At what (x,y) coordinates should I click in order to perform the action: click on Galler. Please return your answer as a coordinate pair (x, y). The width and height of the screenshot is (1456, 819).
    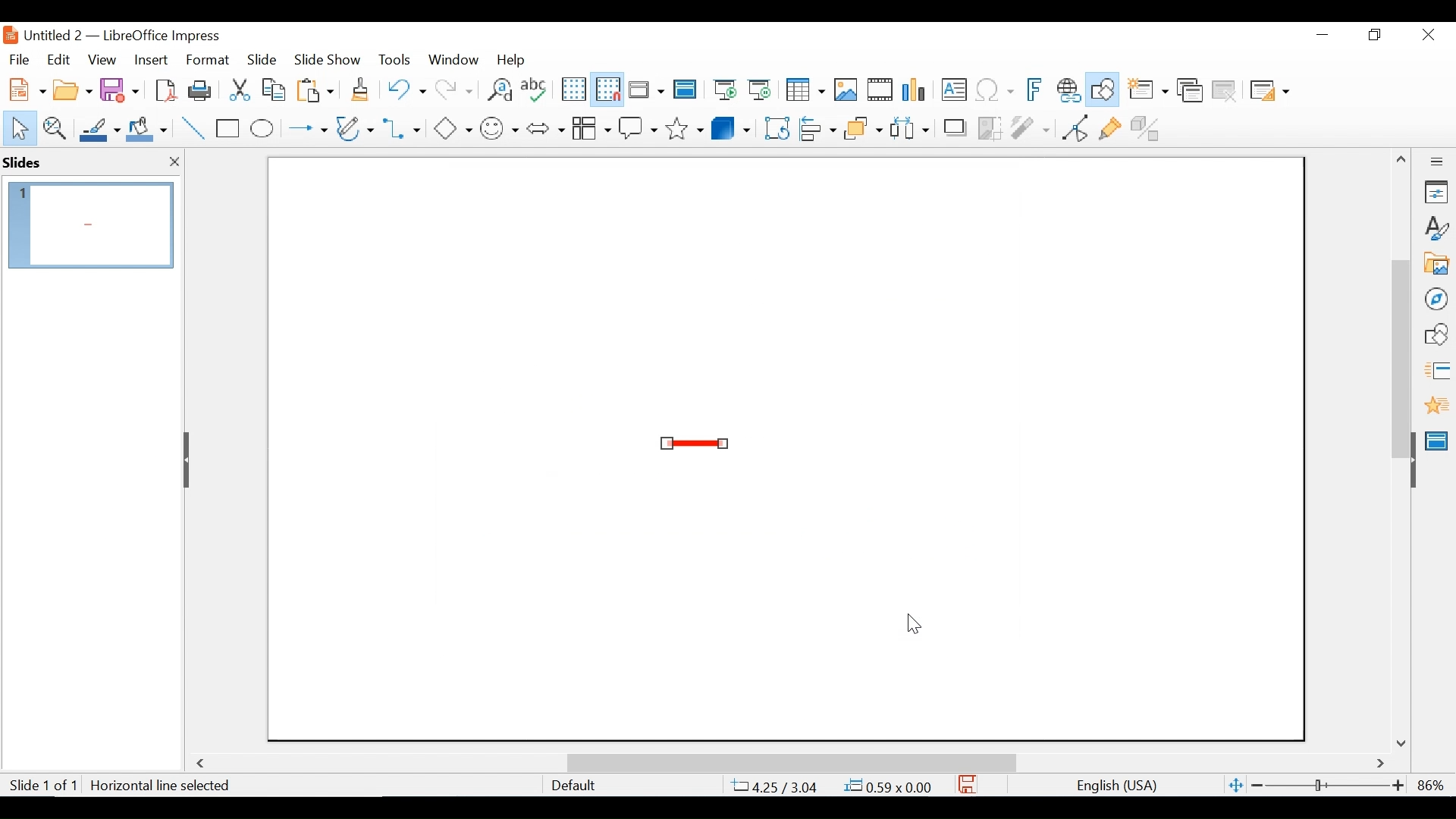
    Looking at the image, I should click on (1436, 265).